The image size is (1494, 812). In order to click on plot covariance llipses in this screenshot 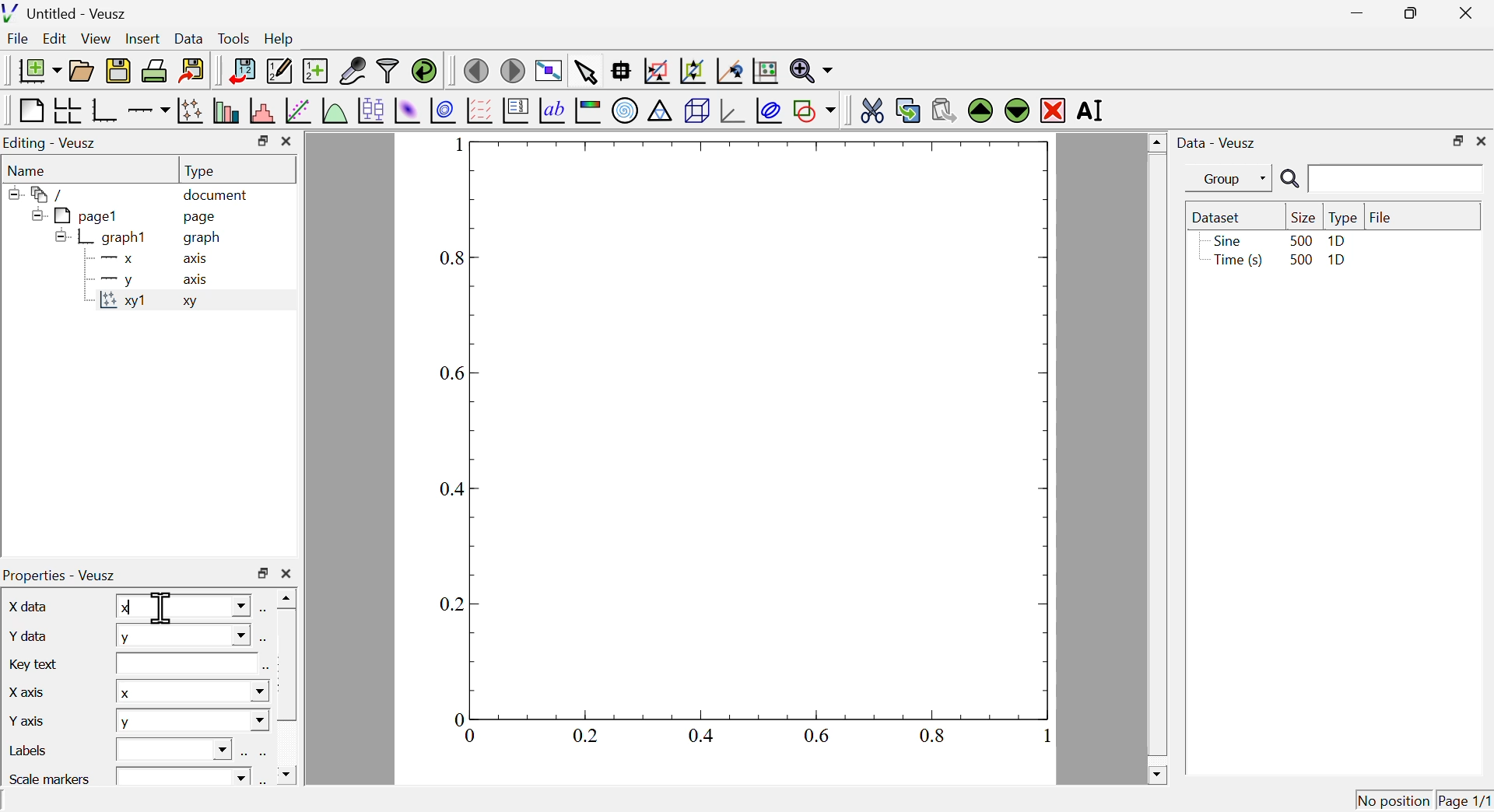, I will do `click(771, 110)`.